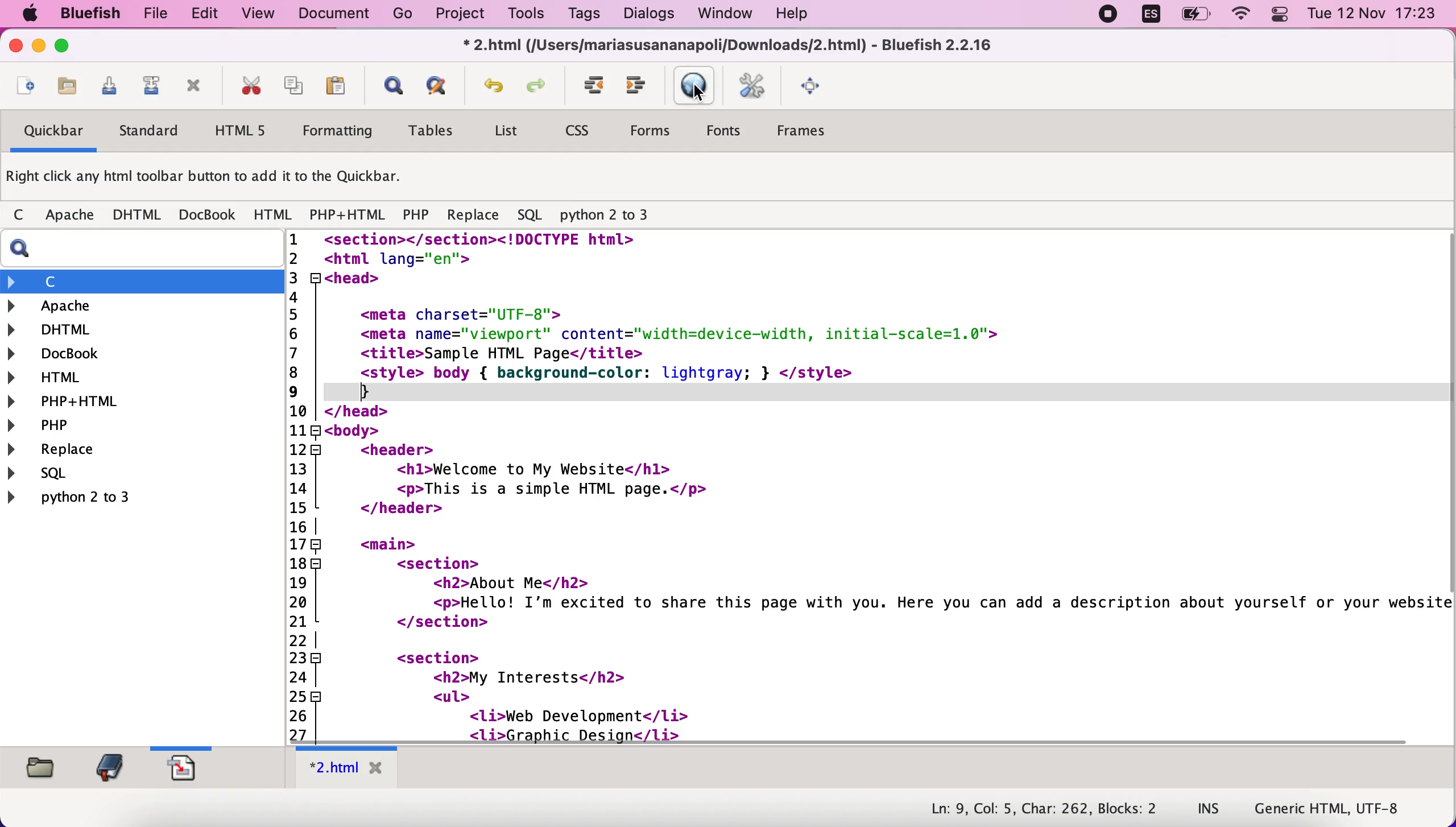 The width and height of the screenshot is (1456, 827). I want to click on minimize, so click(39, 47).